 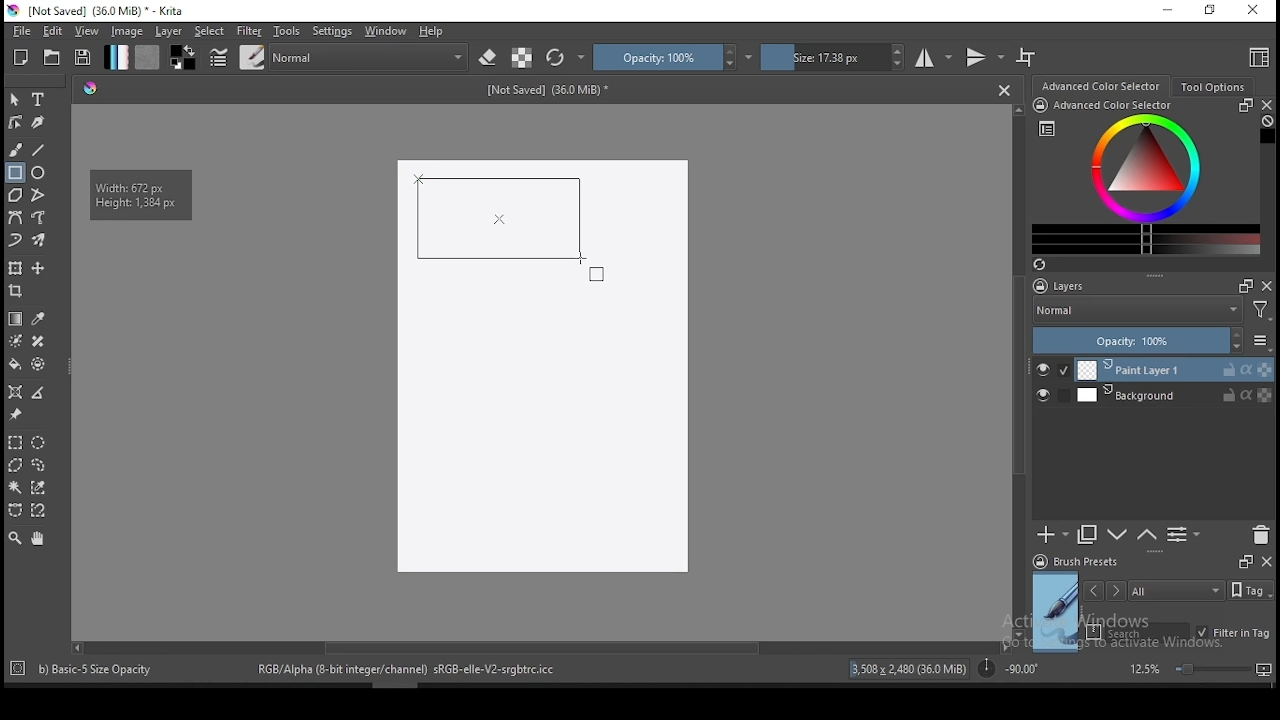 What do you see at coordinates (17, 341) in the screenshot?
I see `colorize mask tool` at bounding box center [17, 341].